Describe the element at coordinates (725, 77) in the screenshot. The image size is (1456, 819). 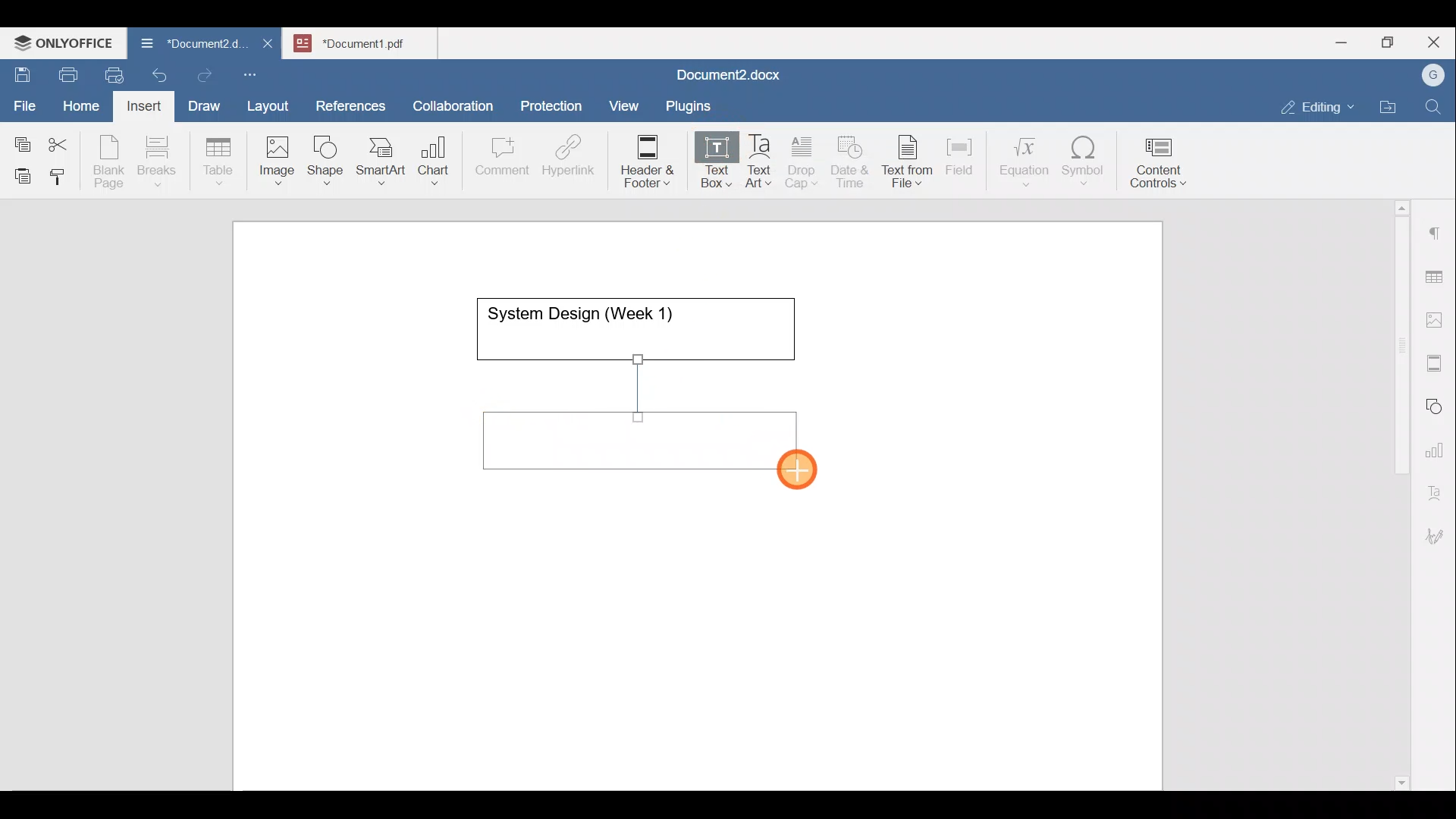
I see `Document name` at that location.